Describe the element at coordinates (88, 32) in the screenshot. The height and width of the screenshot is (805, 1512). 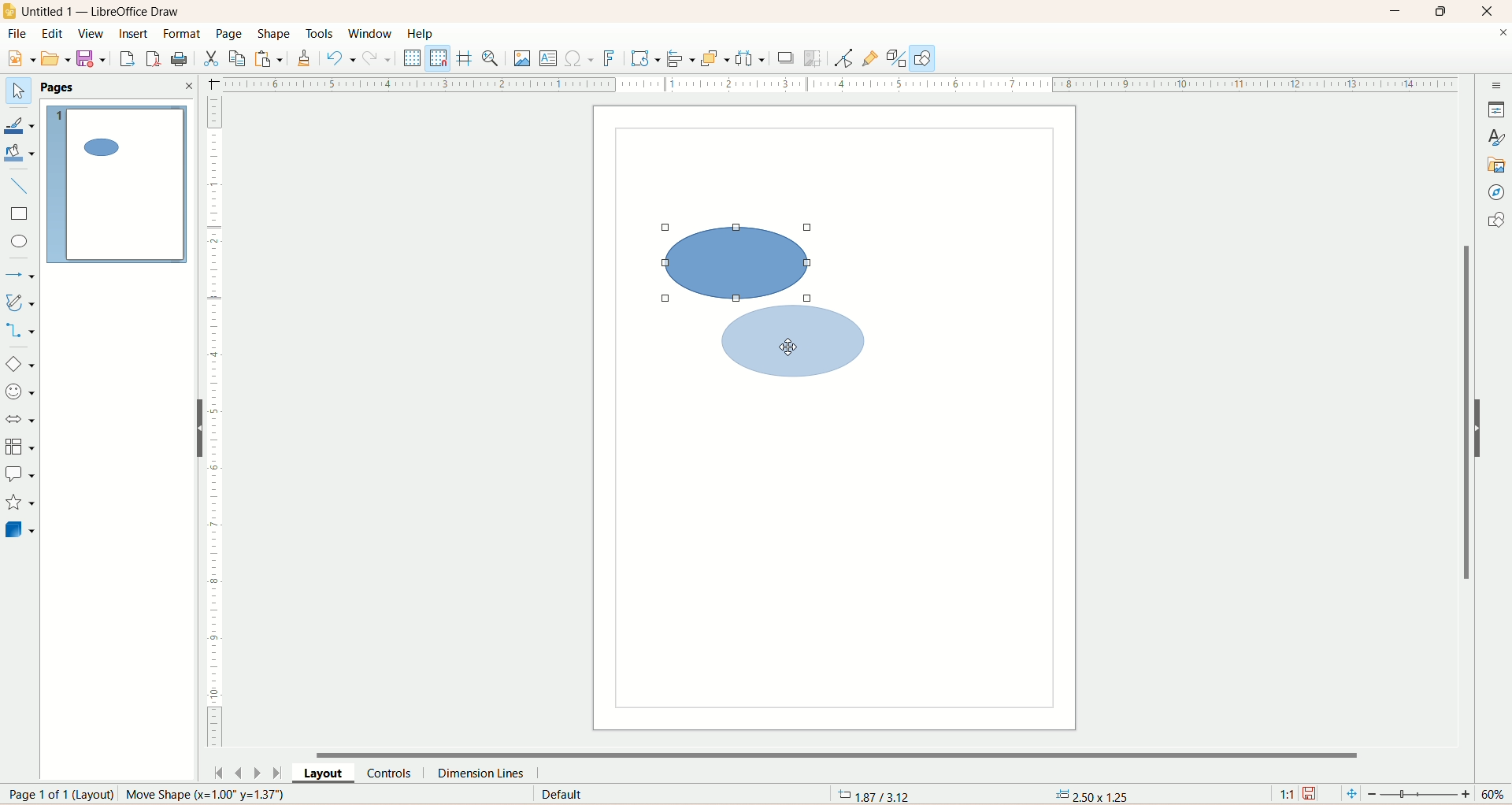
I see `view` at that location.